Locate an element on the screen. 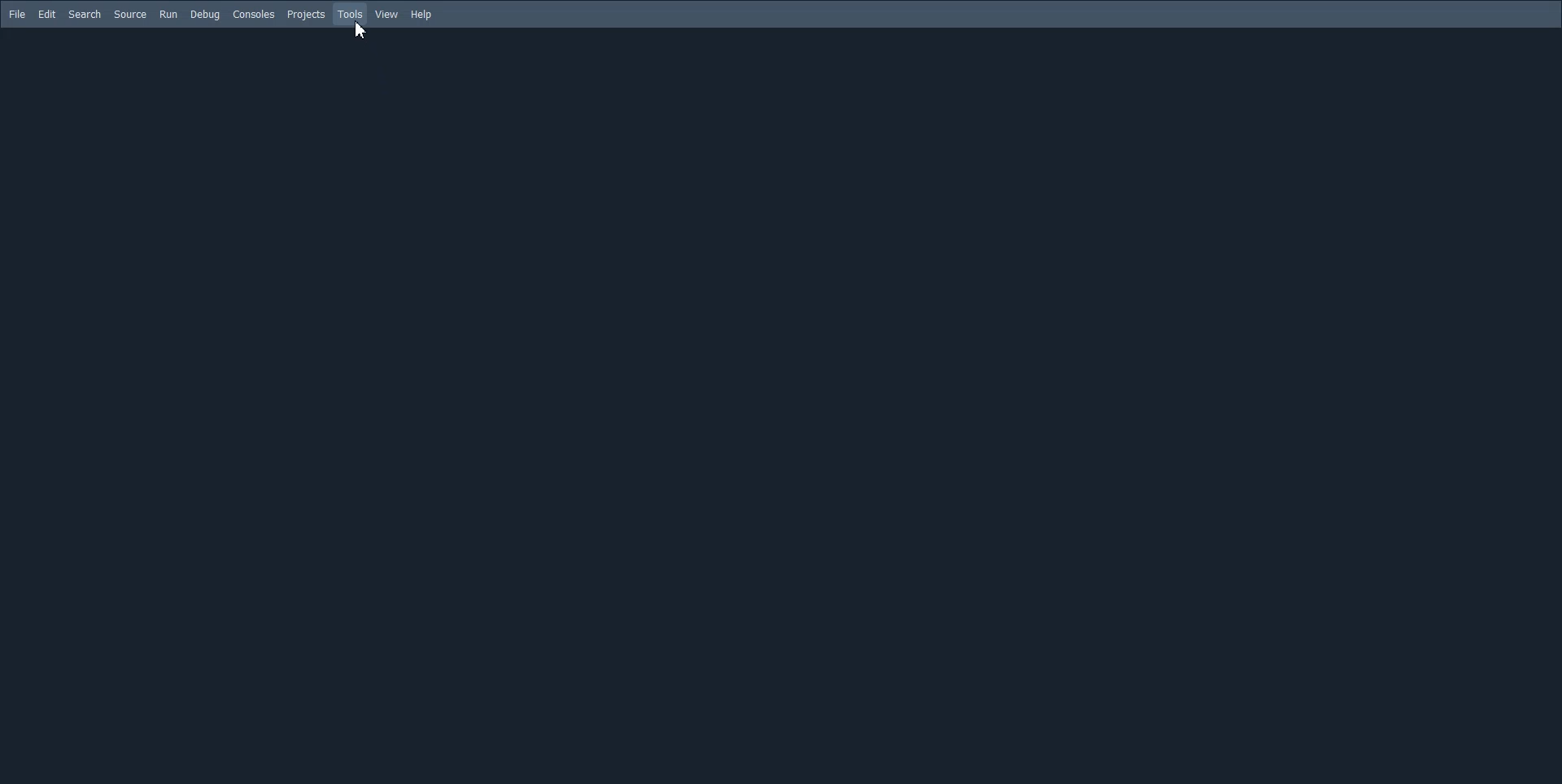 Image resolution: width=1562 pixels, height=784 pixels. cursor is located at coordinates (360, 31).